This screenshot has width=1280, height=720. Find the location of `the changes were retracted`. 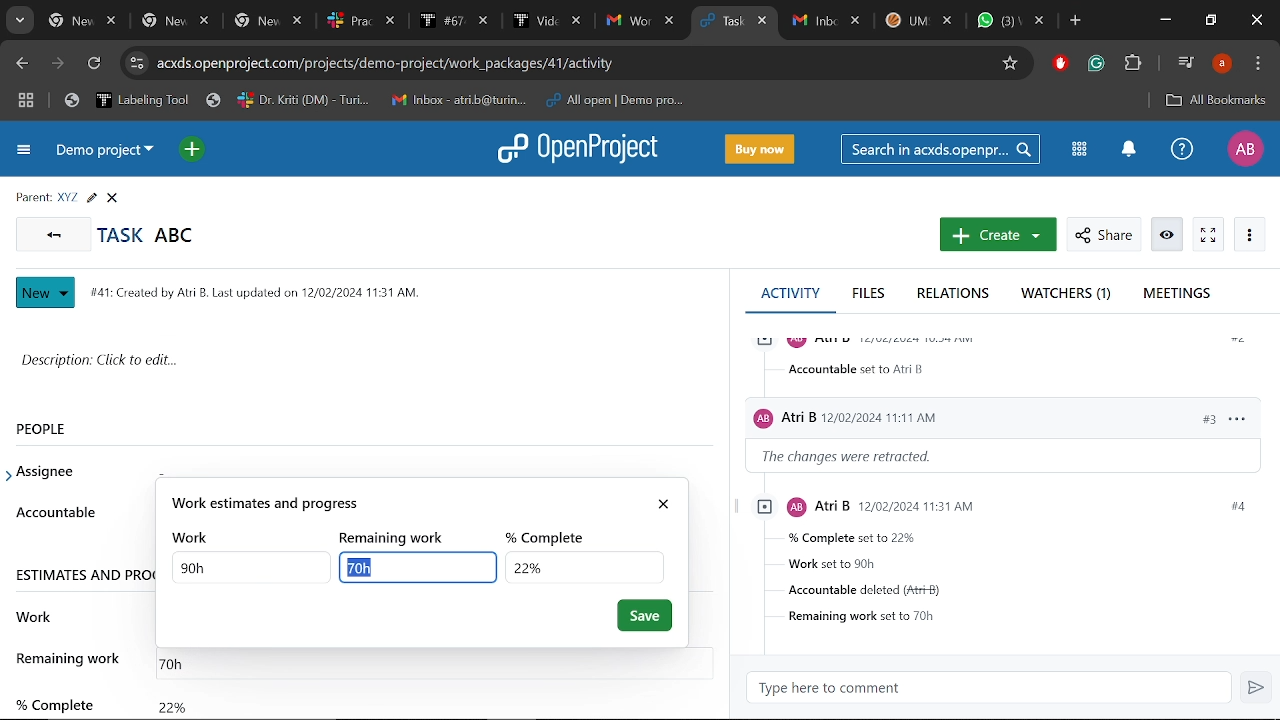

the changes were retracted is located at coordinates (860, 457).